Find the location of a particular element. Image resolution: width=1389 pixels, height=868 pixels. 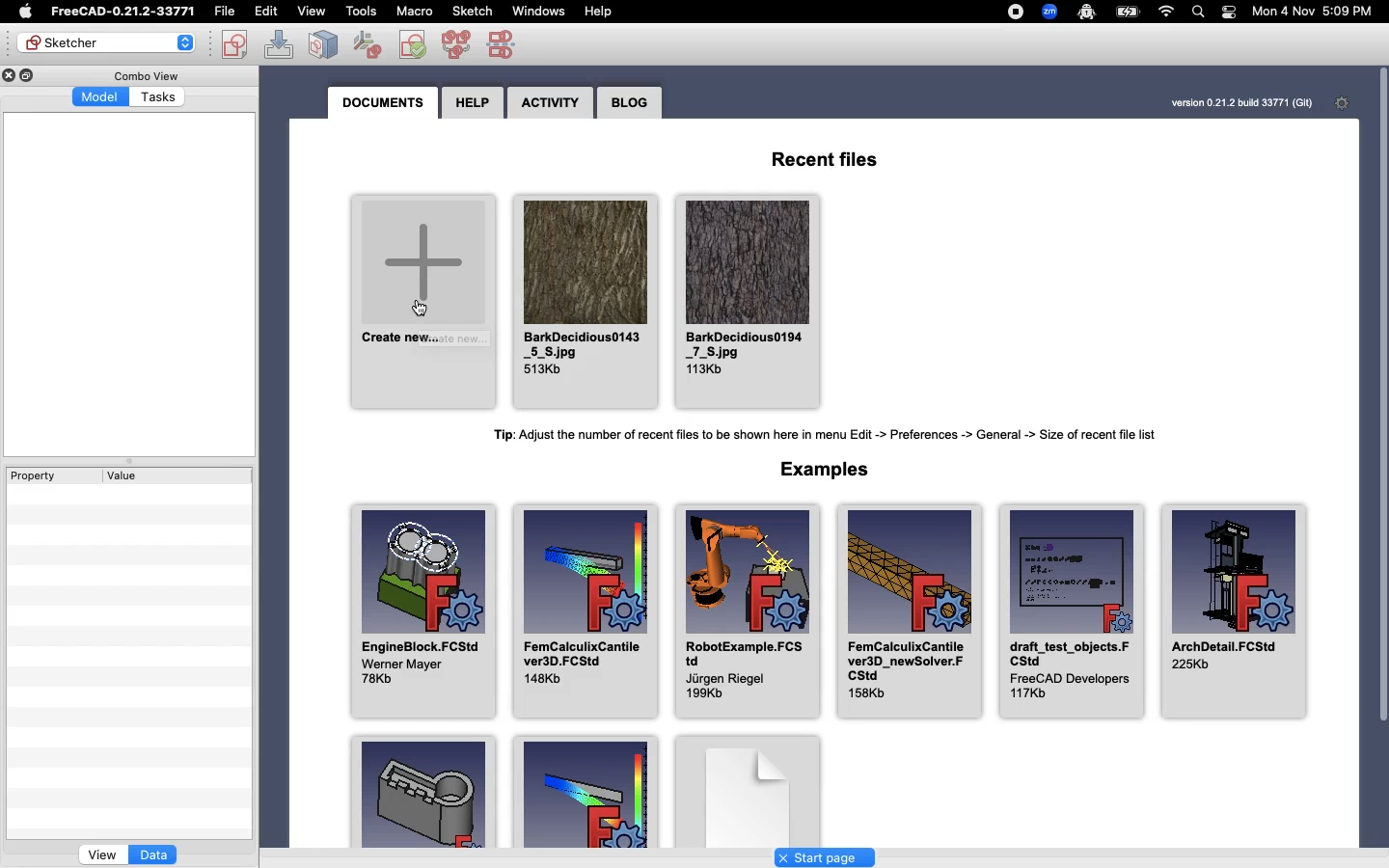

Create sketch is located at coordinates (233, 45).